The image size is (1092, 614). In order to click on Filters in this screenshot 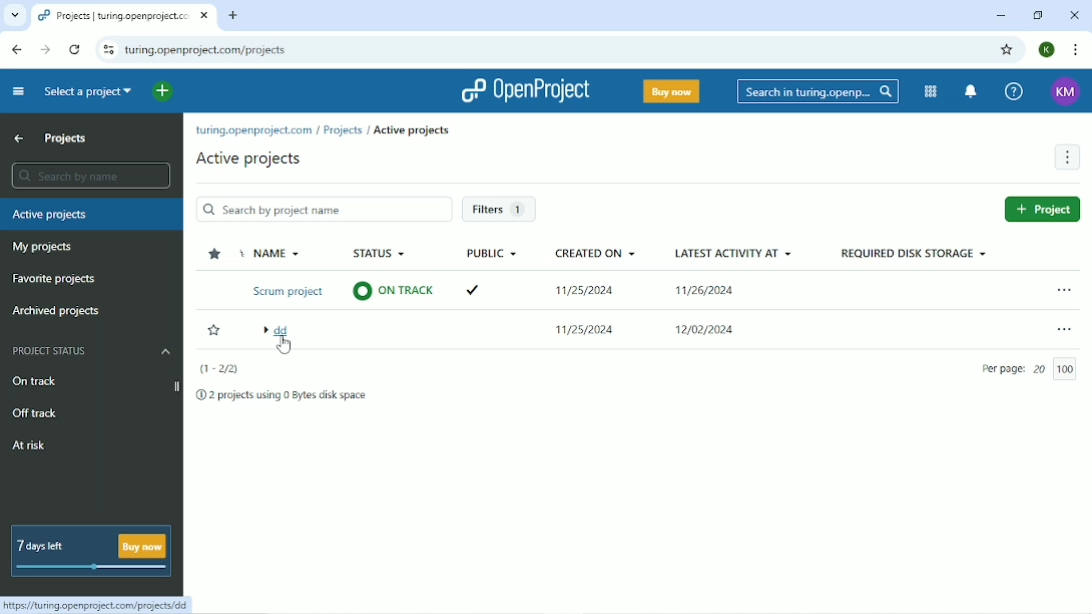, I will do `click(501, 209)`.